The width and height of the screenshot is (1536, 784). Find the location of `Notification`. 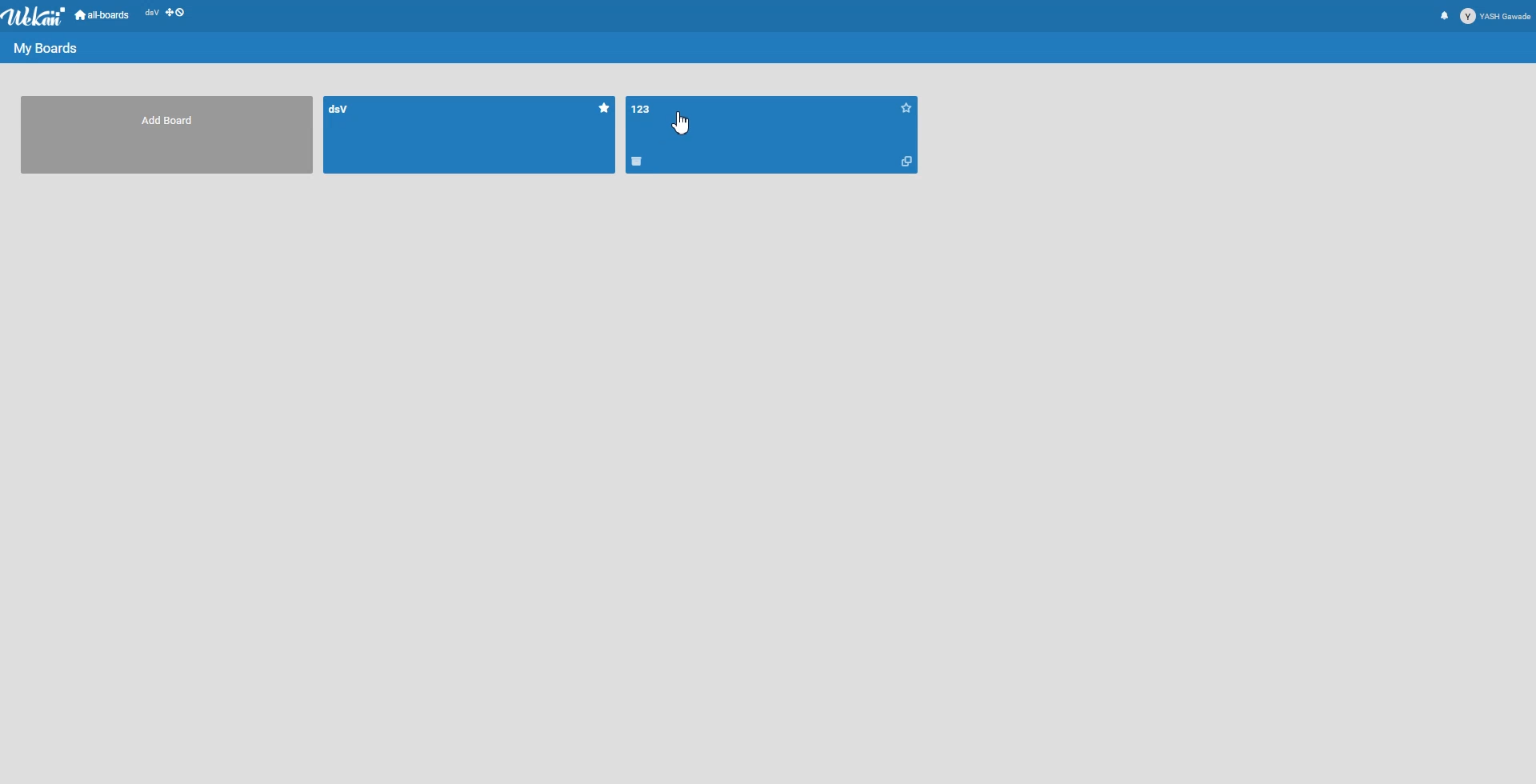

Notification is located at coordinates (1445, 16).